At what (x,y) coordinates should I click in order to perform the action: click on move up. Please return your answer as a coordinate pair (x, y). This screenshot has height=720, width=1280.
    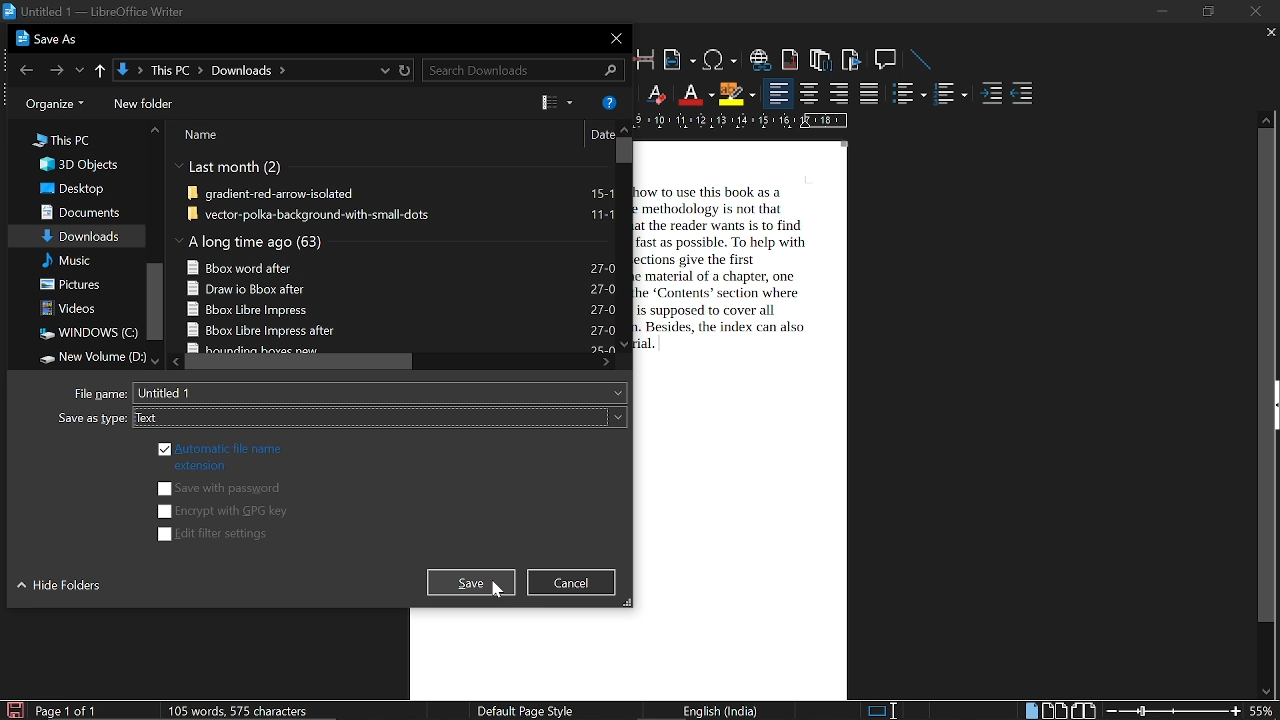
    Looking at the image, I should click on (1266, 119).